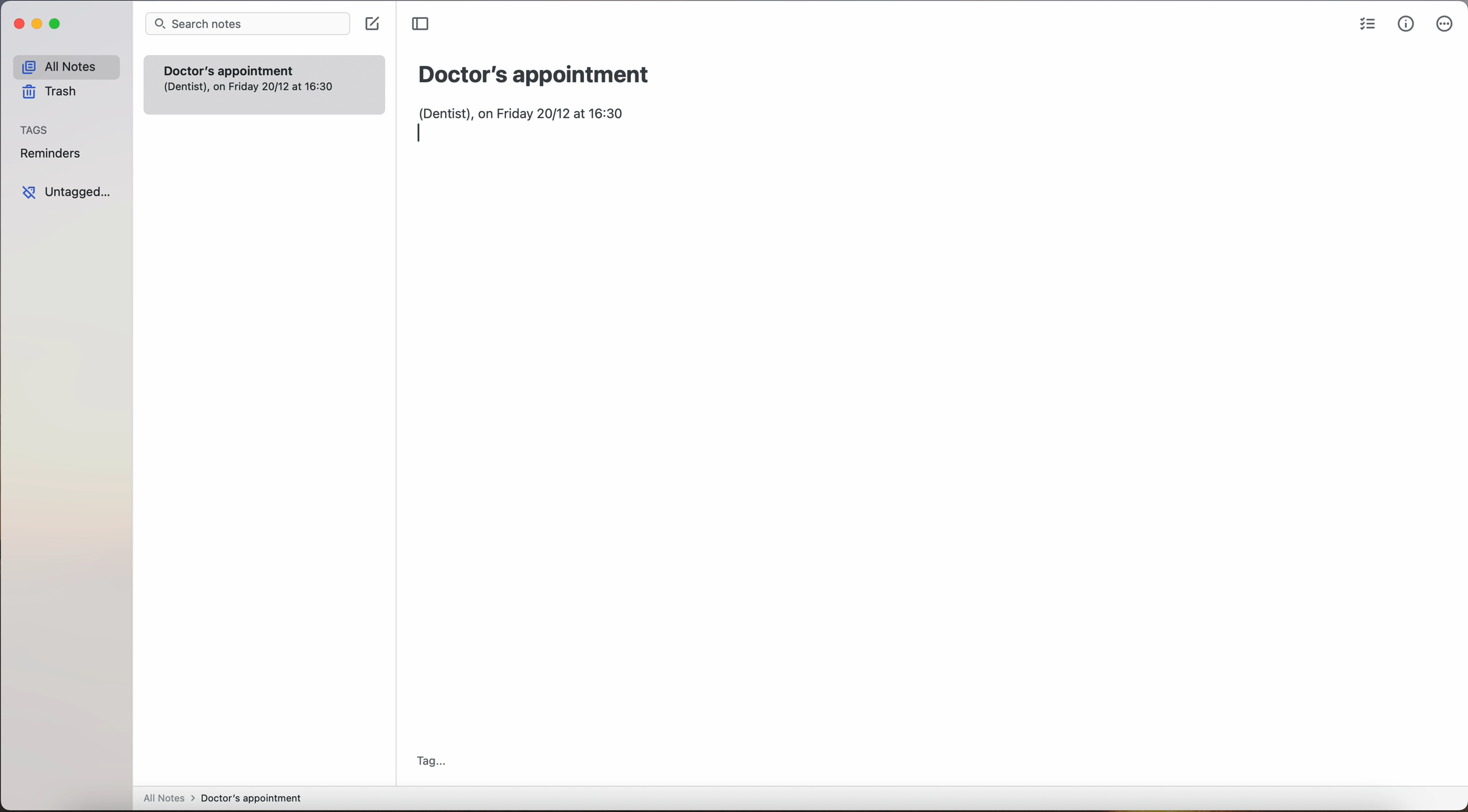 The image size is (1468, 812). I want to click on tag, so click(430, 761).